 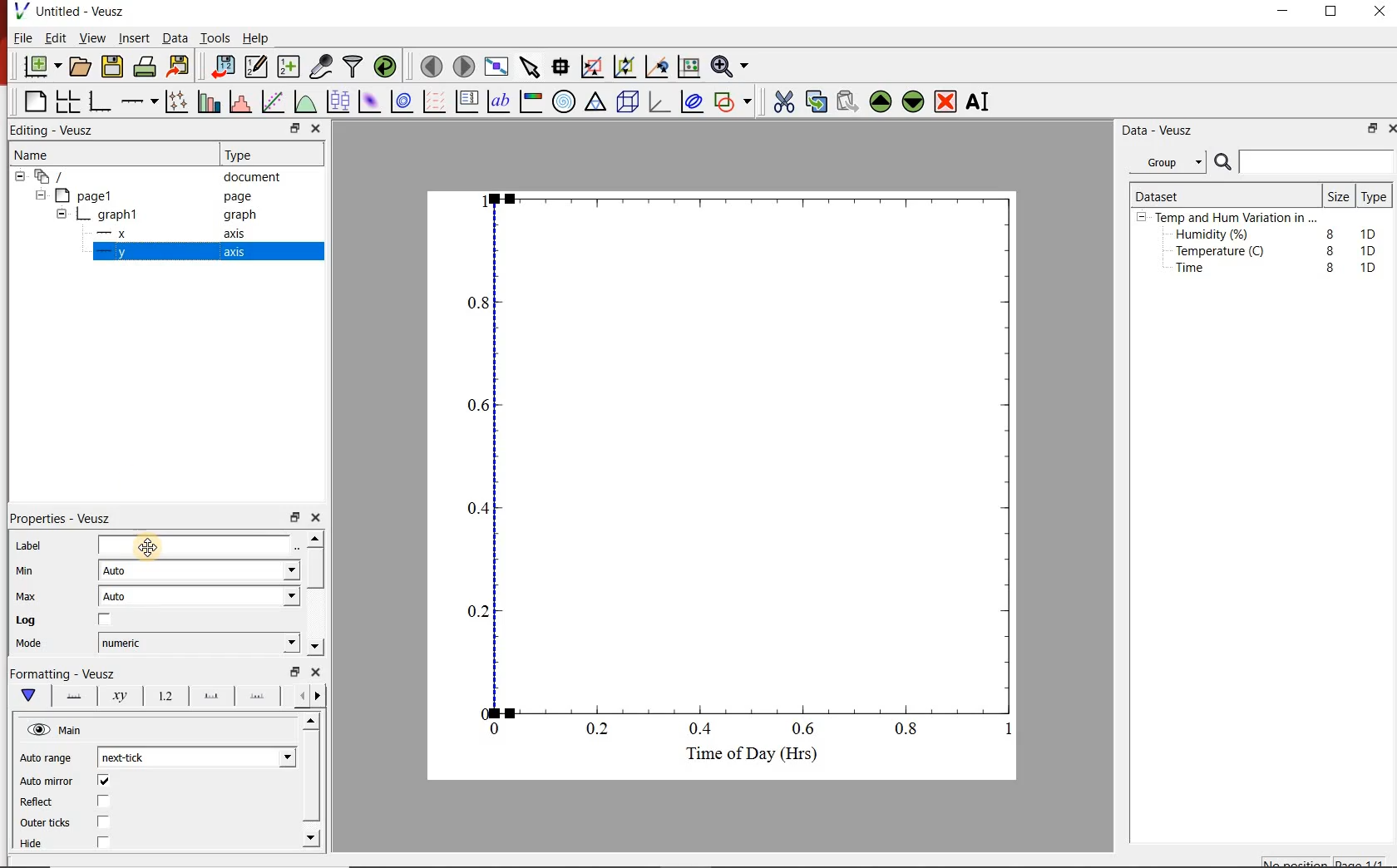 What do you see at coordinates (126, 256) in the screenshot?
I see `y` at bounding box center [126, 256].